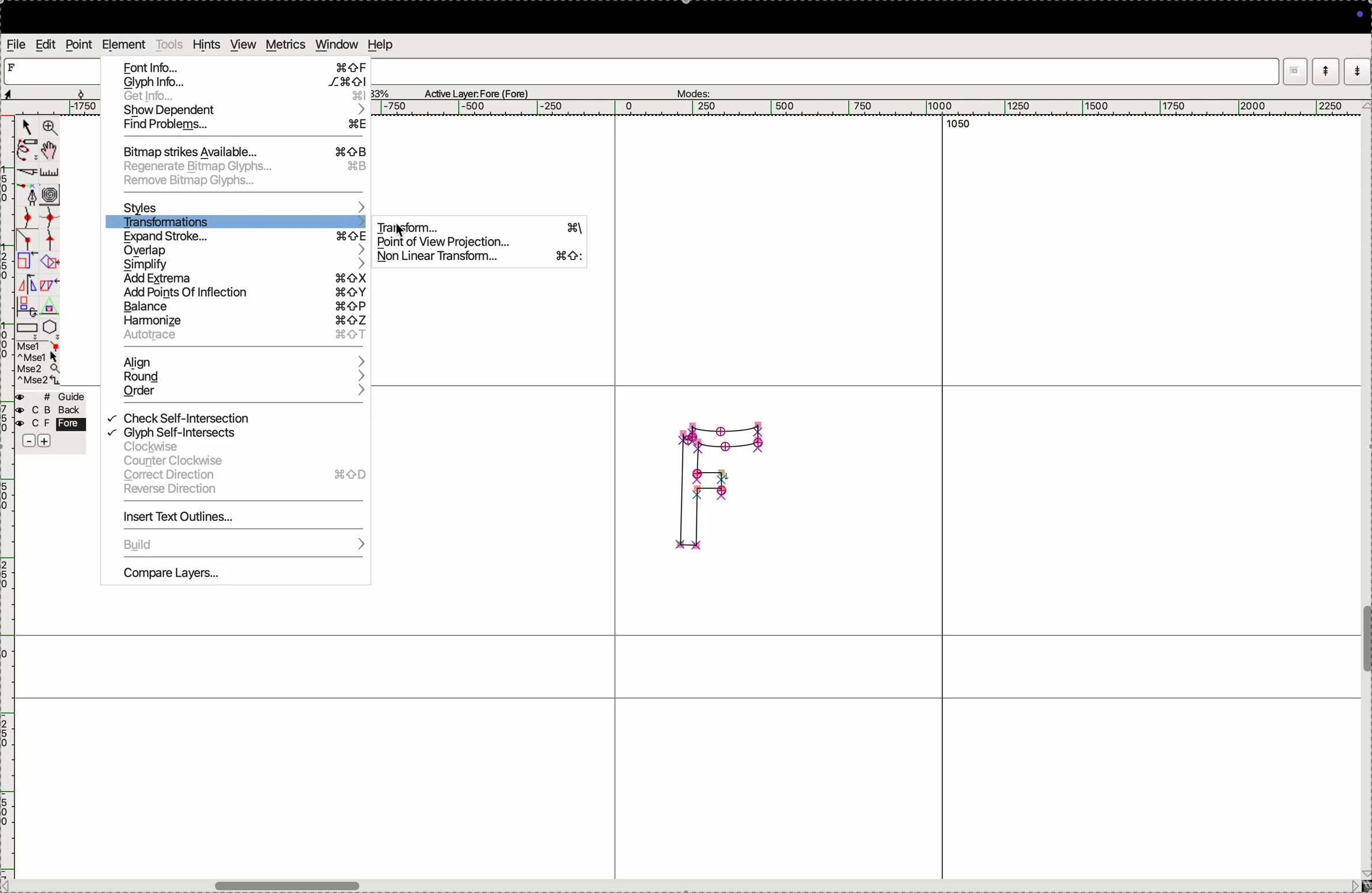 This screenshot has height=893, width=1372. I want to click on guide, so click(54, 397).